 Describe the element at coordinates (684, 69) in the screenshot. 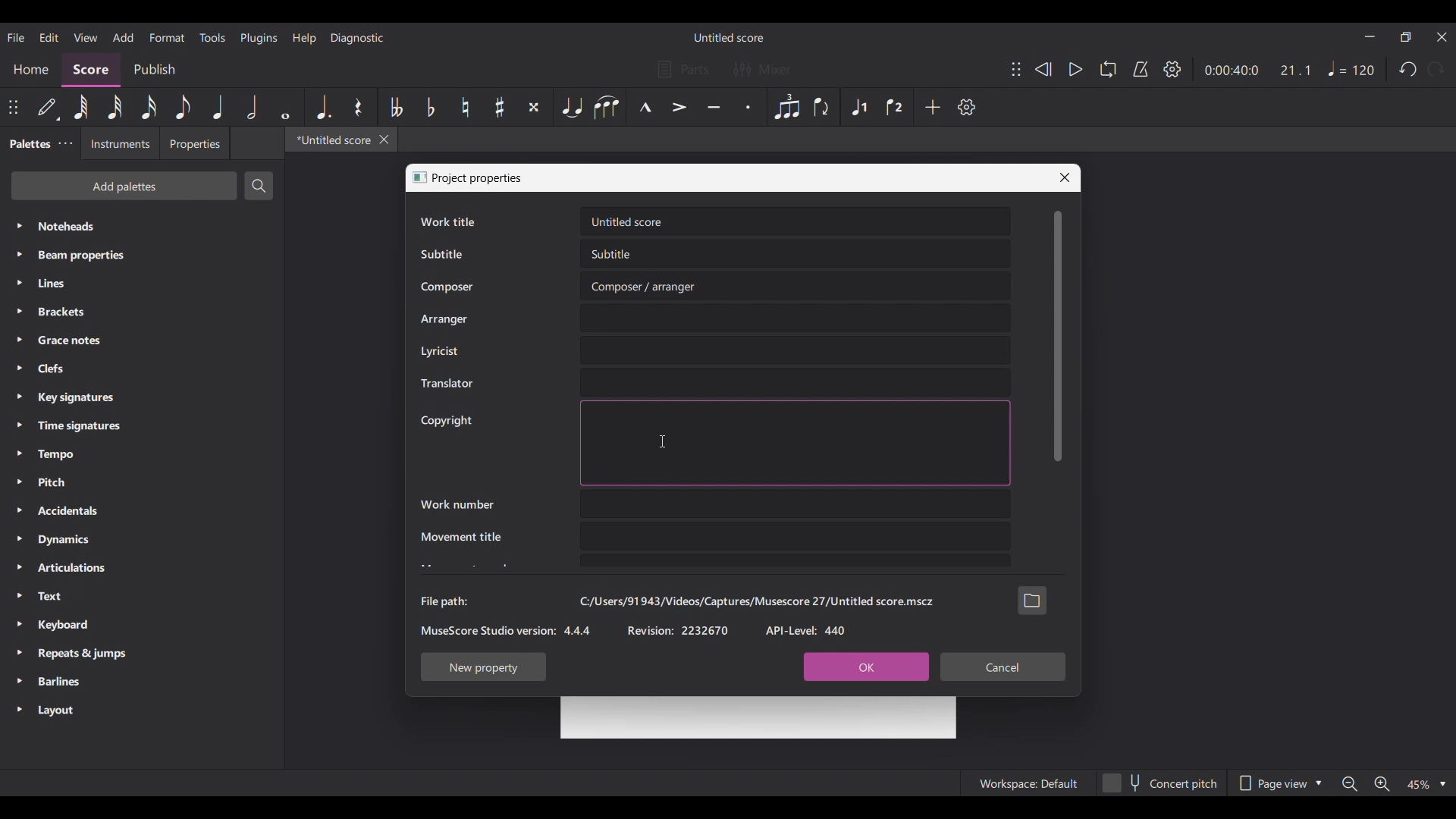

I see `Parts settings` at that location.